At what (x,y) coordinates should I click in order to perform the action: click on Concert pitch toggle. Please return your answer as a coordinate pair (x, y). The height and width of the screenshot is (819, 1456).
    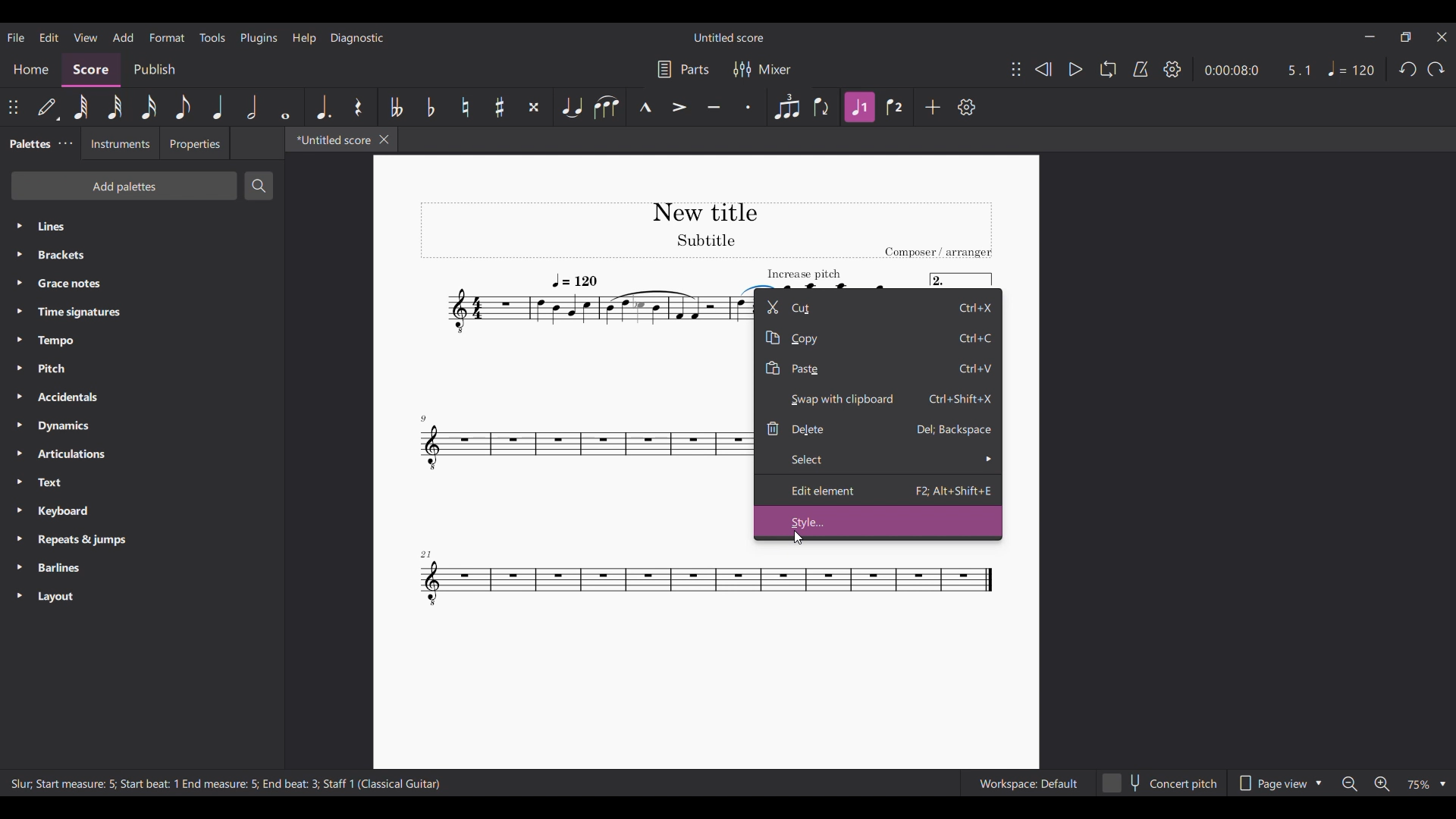
    Looking at the image, I should click on (1161, 783).